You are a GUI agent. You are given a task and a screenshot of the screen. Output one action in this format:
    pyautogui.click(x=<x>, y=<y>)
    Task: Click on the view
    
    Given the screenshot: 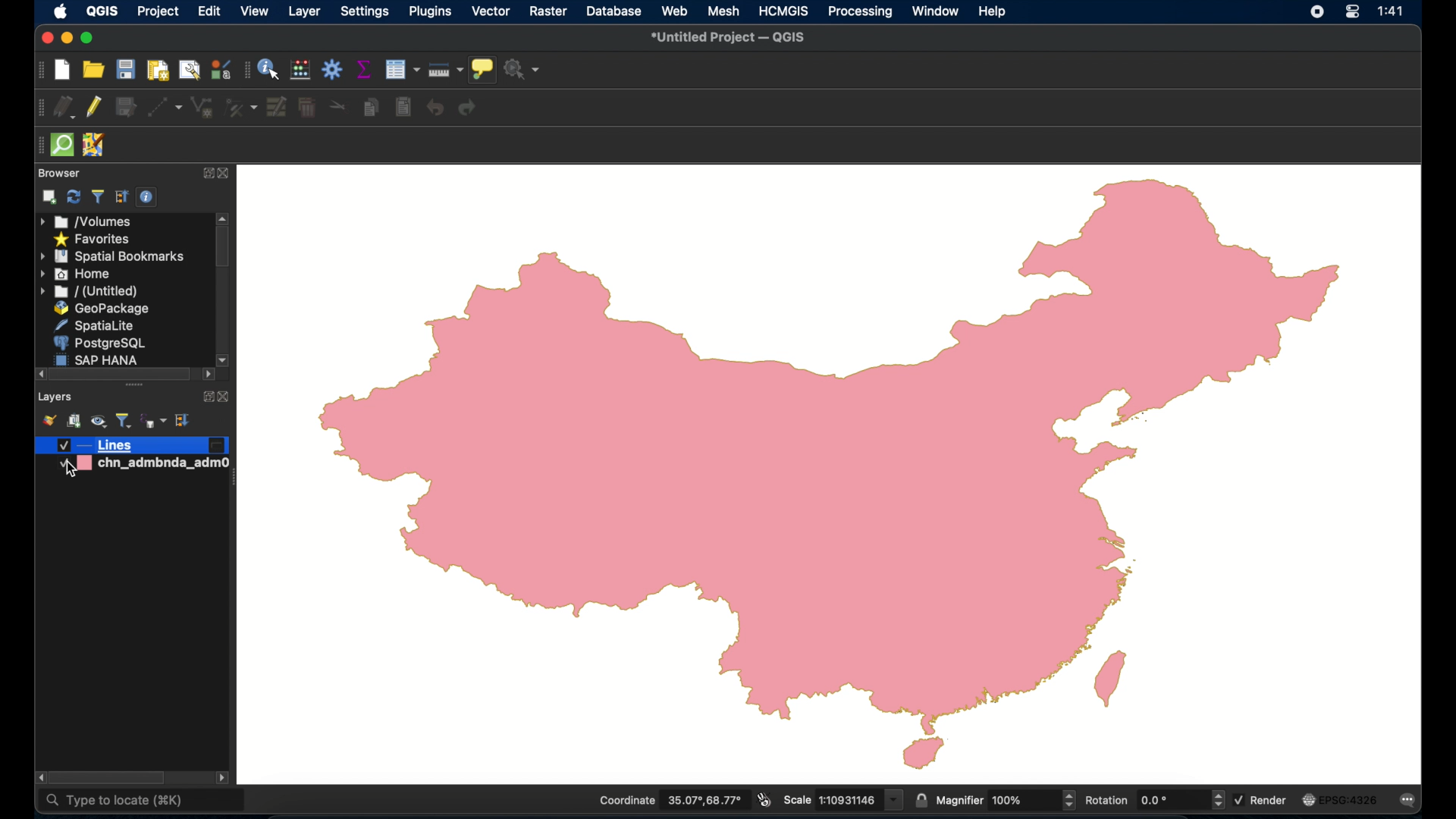 What is the action you would take?
    pyautogui.click(x=255, y=11)
    